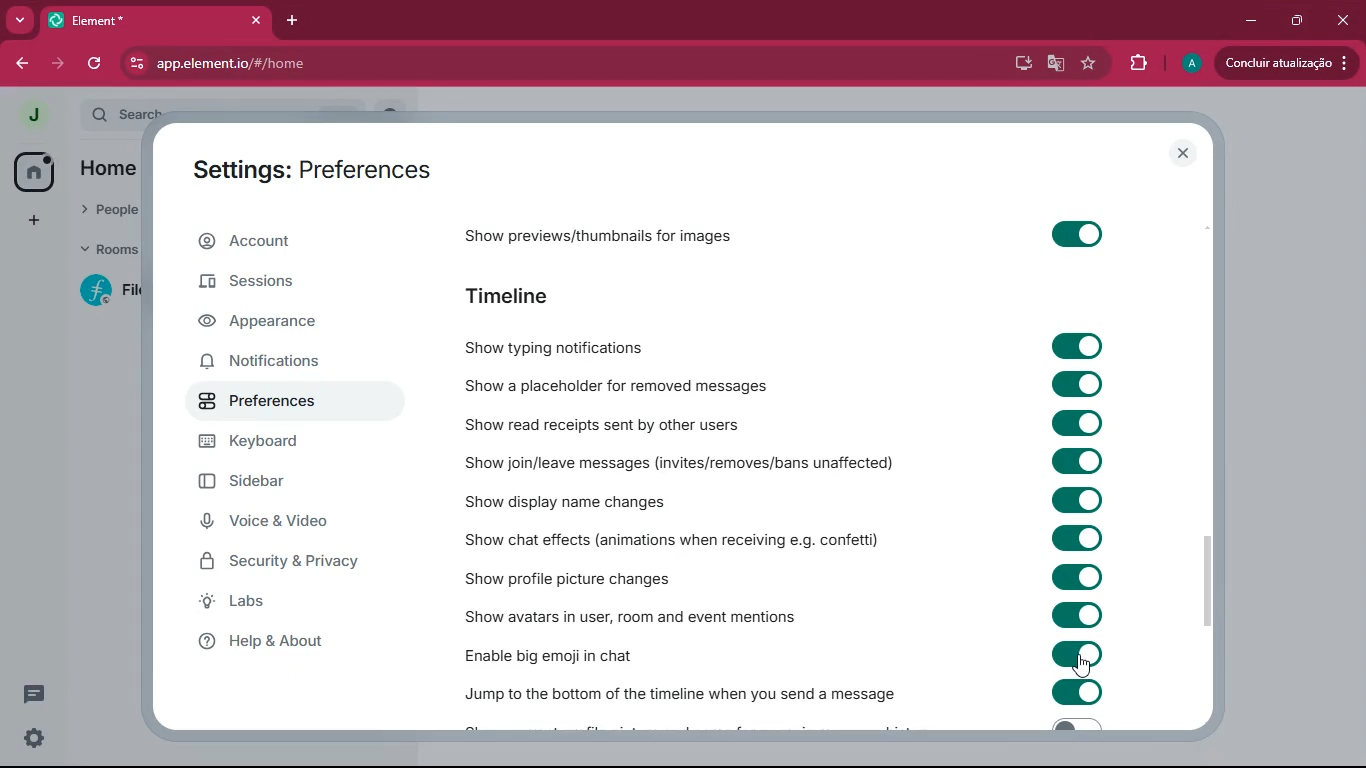 Image resolution: width=1366 pixels, height=768 pixels. What do you see at coordinates (680, 539) in the screenshot?
I see `show chat effects (animations when receiving e.g. confetti)` at bounding box center [680, 539].